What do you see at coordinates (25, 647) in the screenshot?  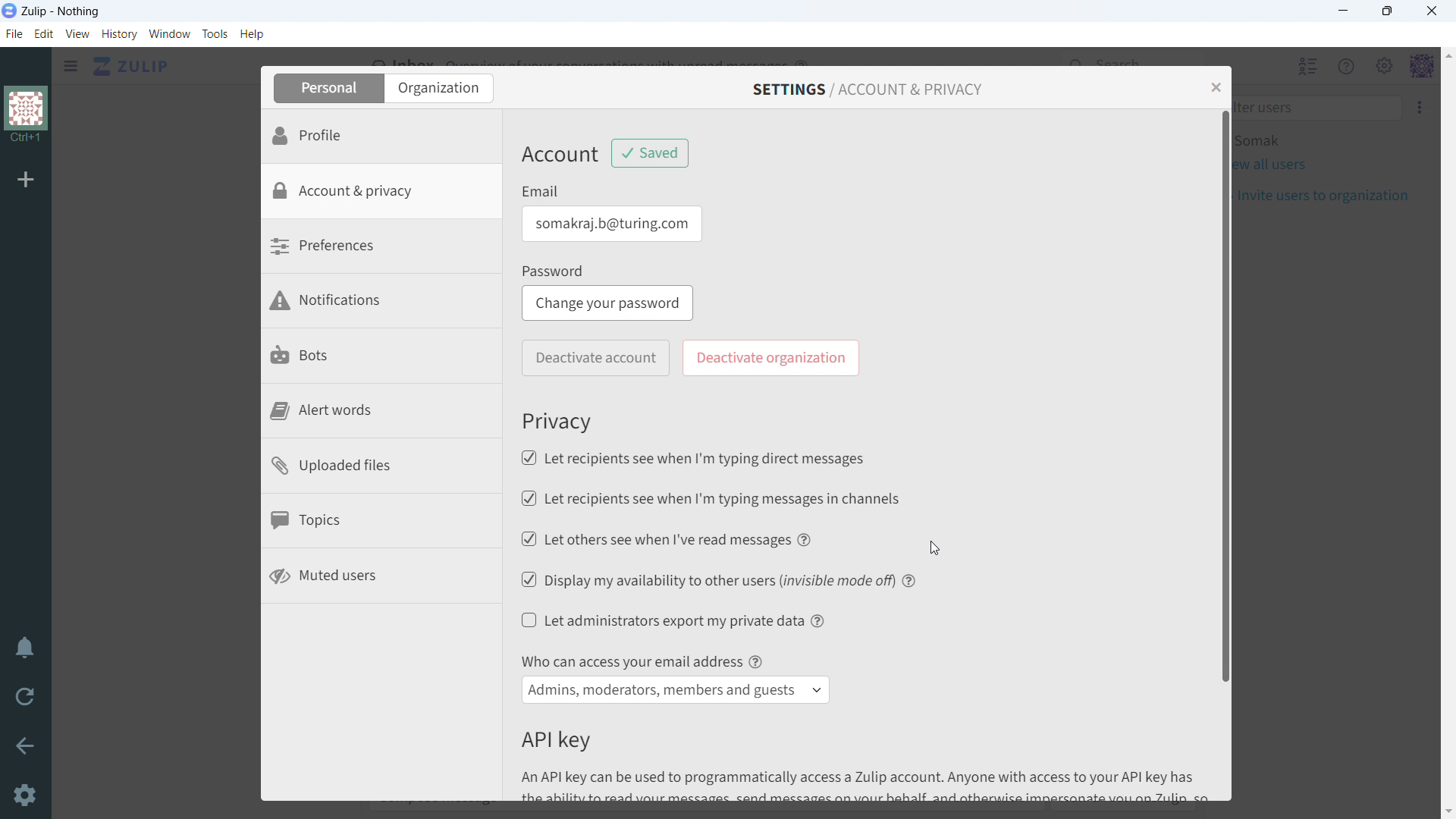 I see `enable do not disturb` at bounding box center [25, 647].